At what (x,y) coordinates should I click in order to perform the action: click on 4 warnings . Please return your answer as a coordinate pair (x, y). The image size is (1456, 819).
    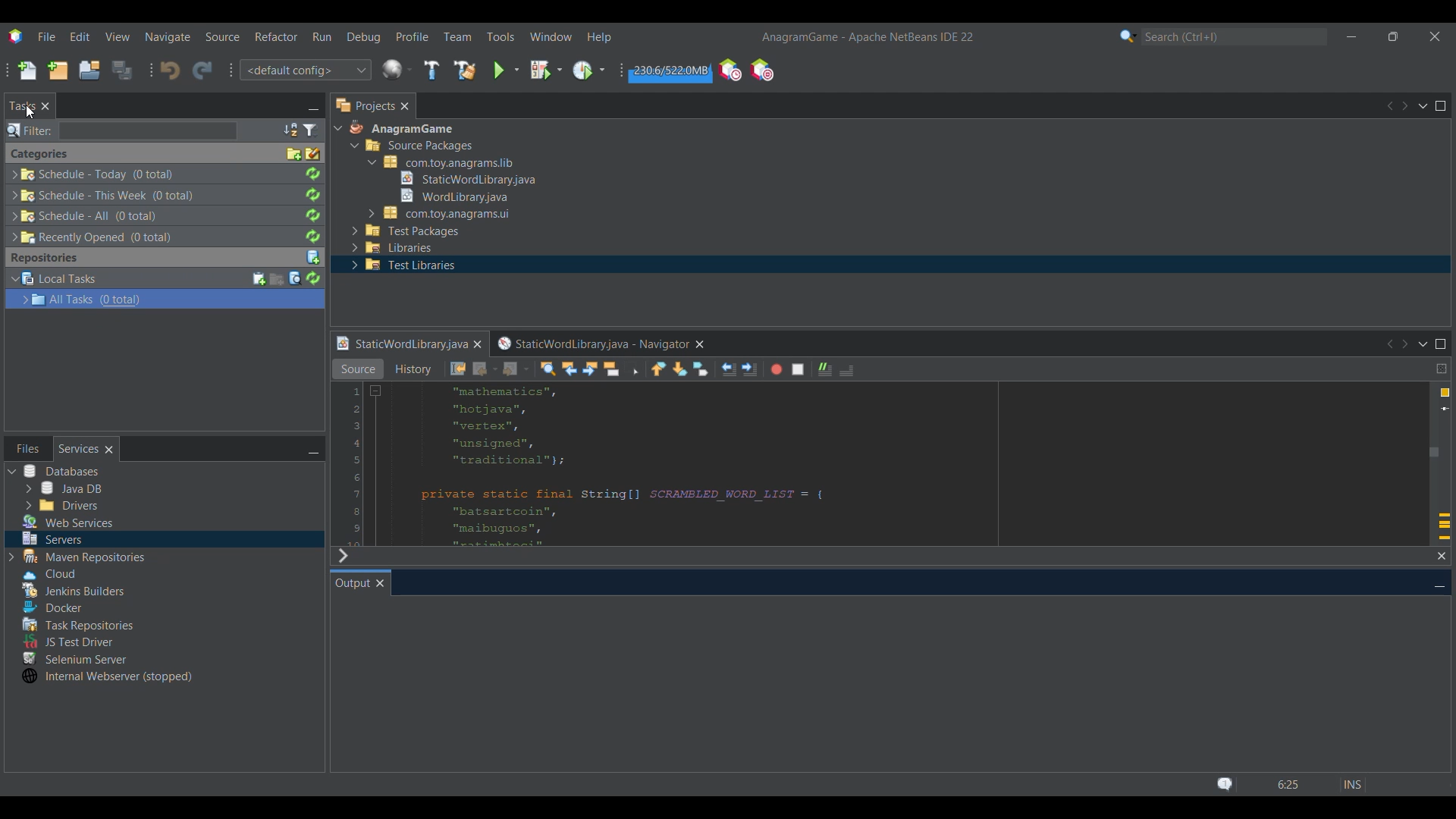
    Looking at the image, I should click on (1445, 393).